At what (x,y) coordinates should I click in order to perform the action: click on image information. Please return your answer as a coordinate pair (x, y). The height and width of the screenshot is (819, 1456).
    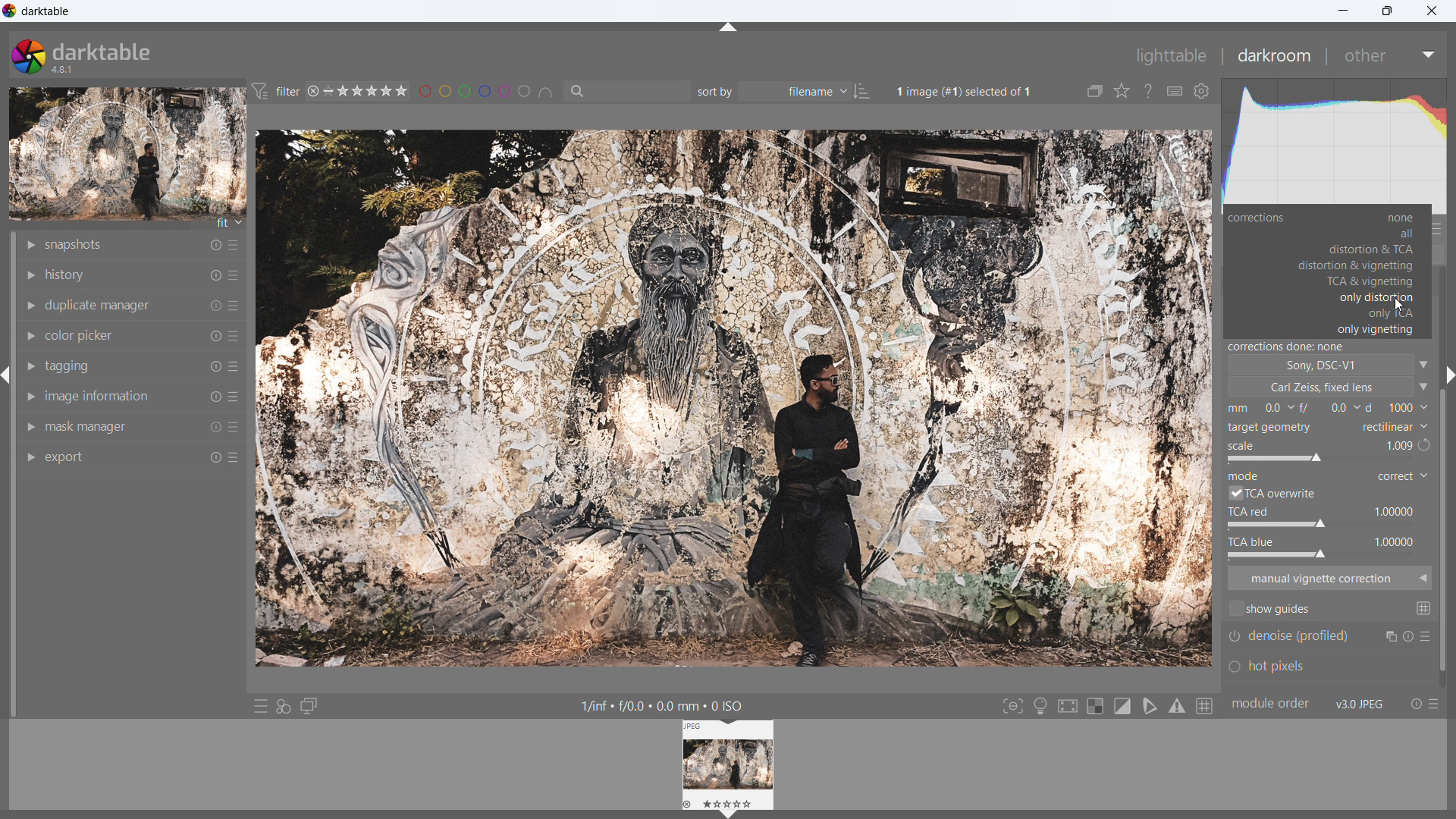
    Looking at the image, I should click on (99, 396).